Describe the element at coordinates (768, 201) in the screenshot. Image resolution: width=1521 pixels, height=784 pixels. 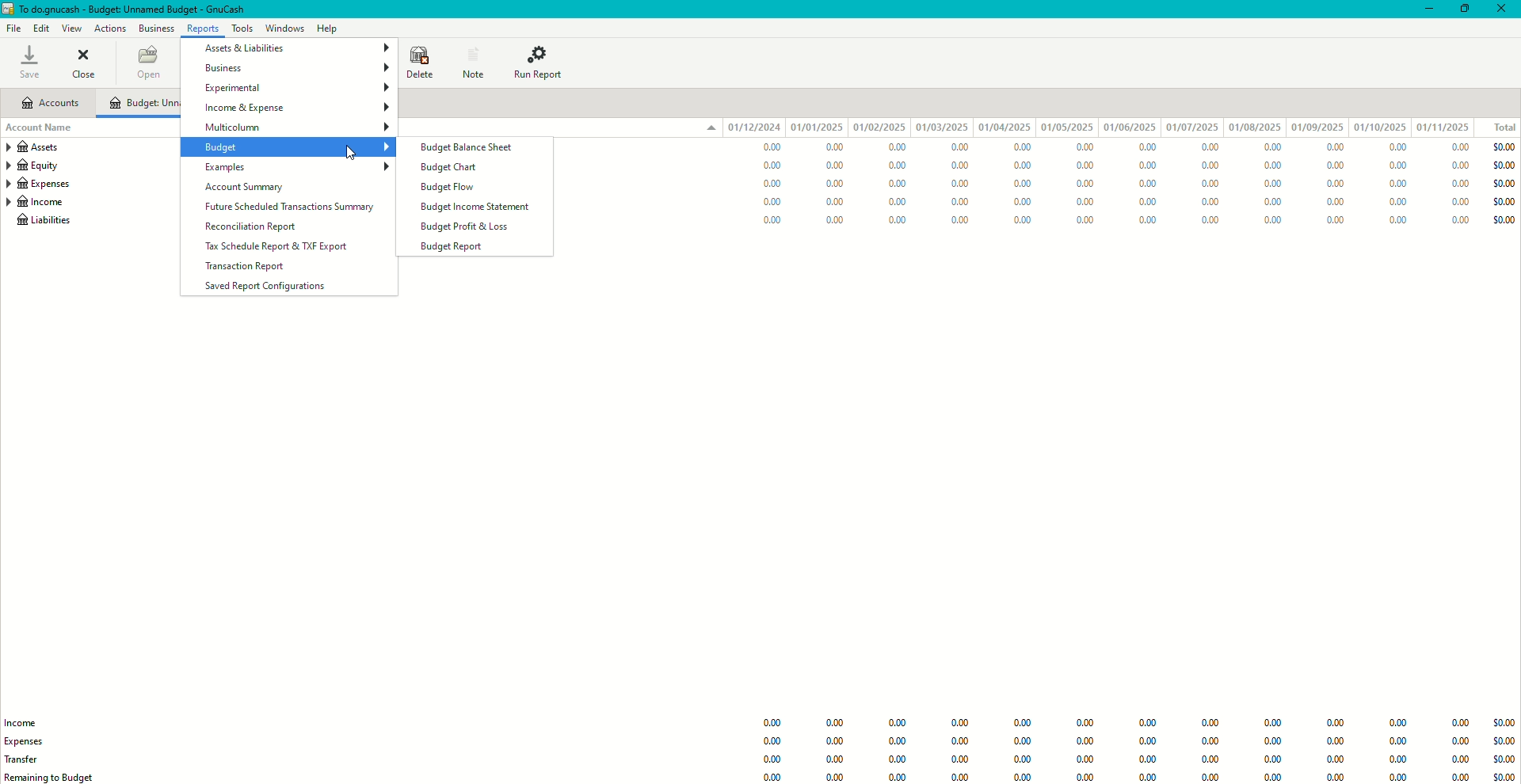
I see `0.00` at that location.